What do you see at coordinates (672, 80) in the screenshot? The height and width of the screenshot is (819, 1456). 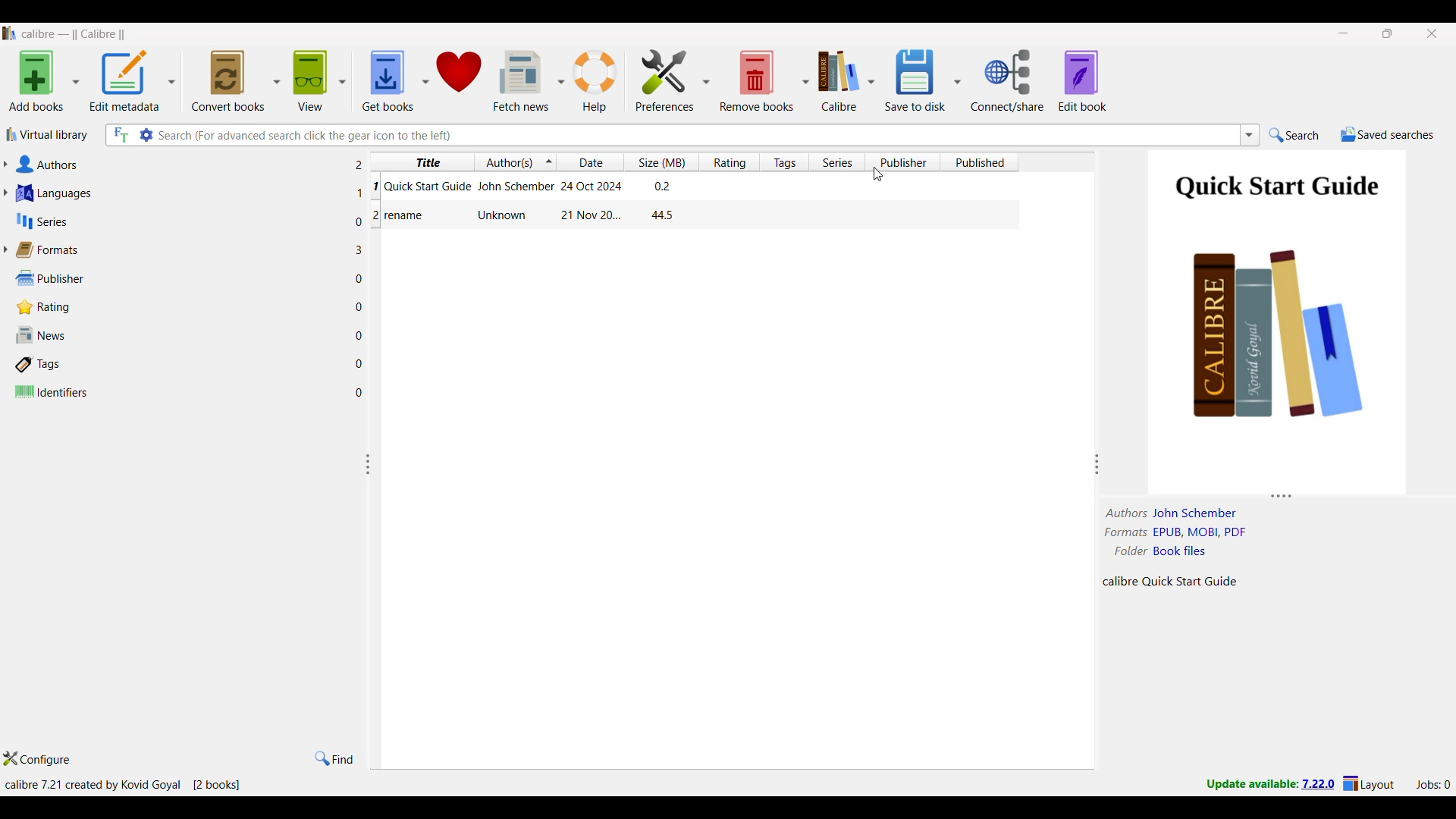 I see `Preference options` at bounding box center [672, 80].